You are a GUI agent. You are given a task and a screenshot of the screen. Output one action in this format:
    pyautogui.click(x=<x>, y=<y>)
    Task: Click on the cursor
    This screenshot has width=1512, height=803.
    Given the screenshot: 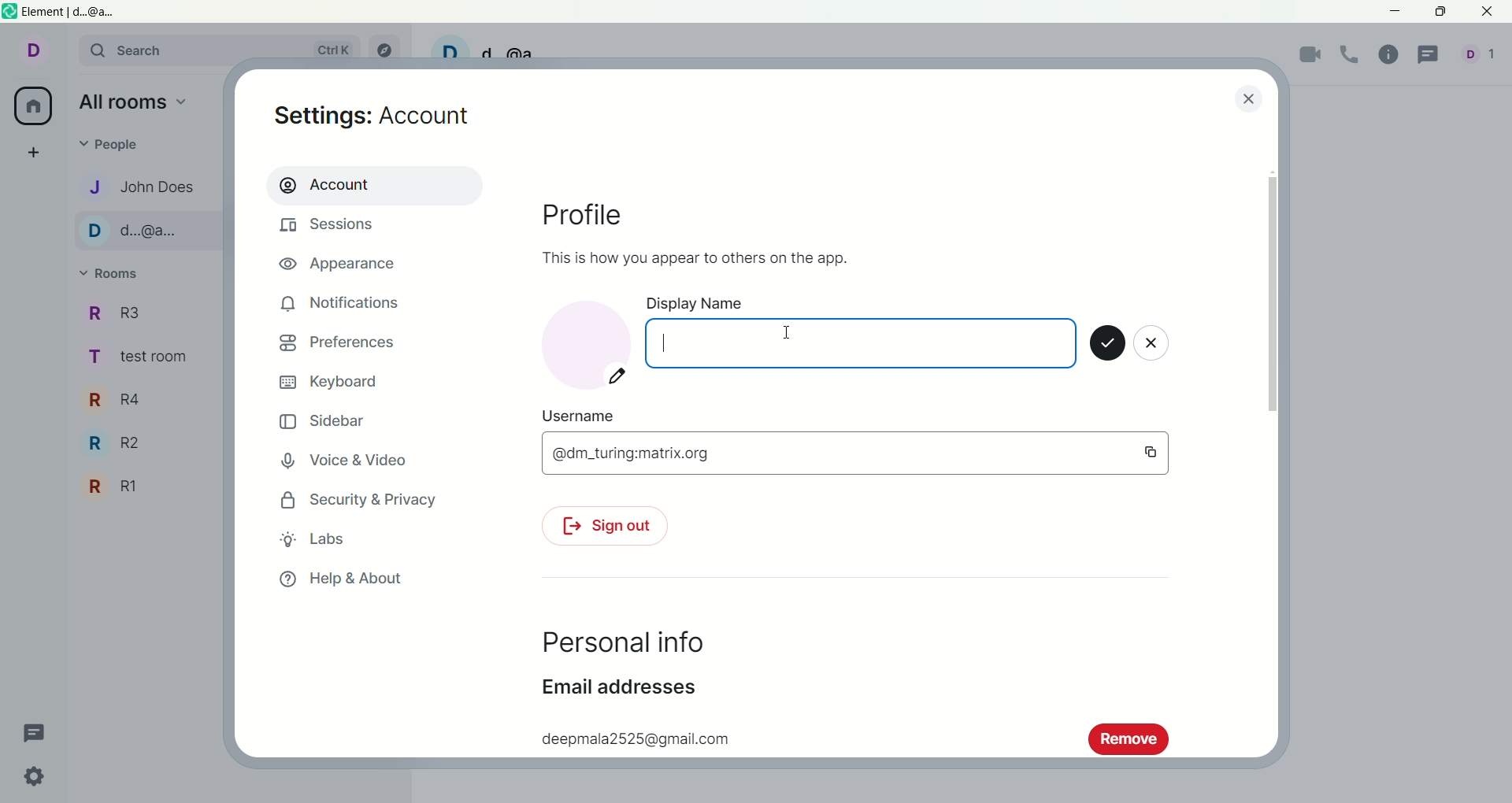 What is the action you would take?
    pyautogui.click(x=668, y=343)
    